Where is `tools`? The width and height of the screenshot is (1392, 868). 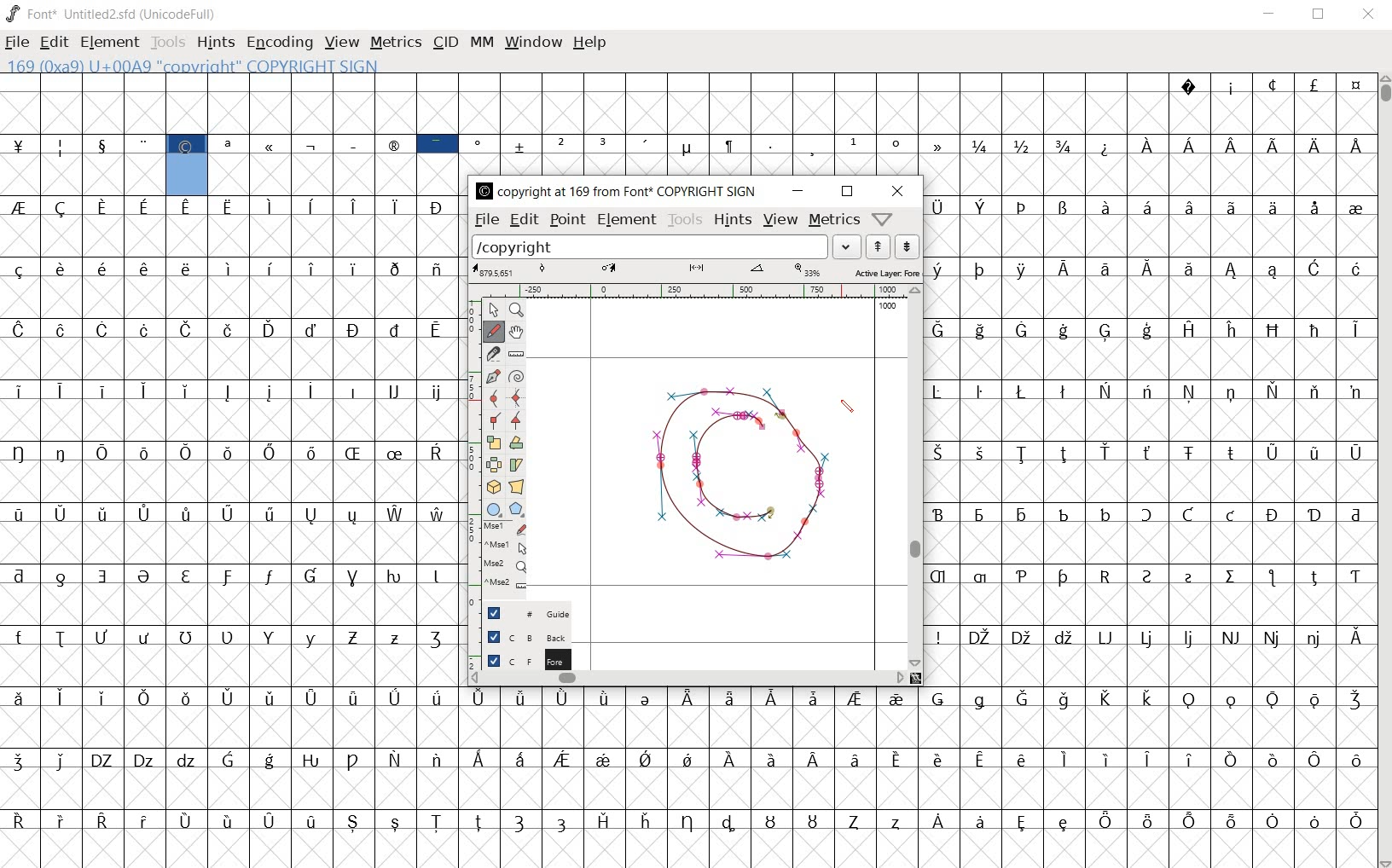
tools is located at coordinates (684, 219).